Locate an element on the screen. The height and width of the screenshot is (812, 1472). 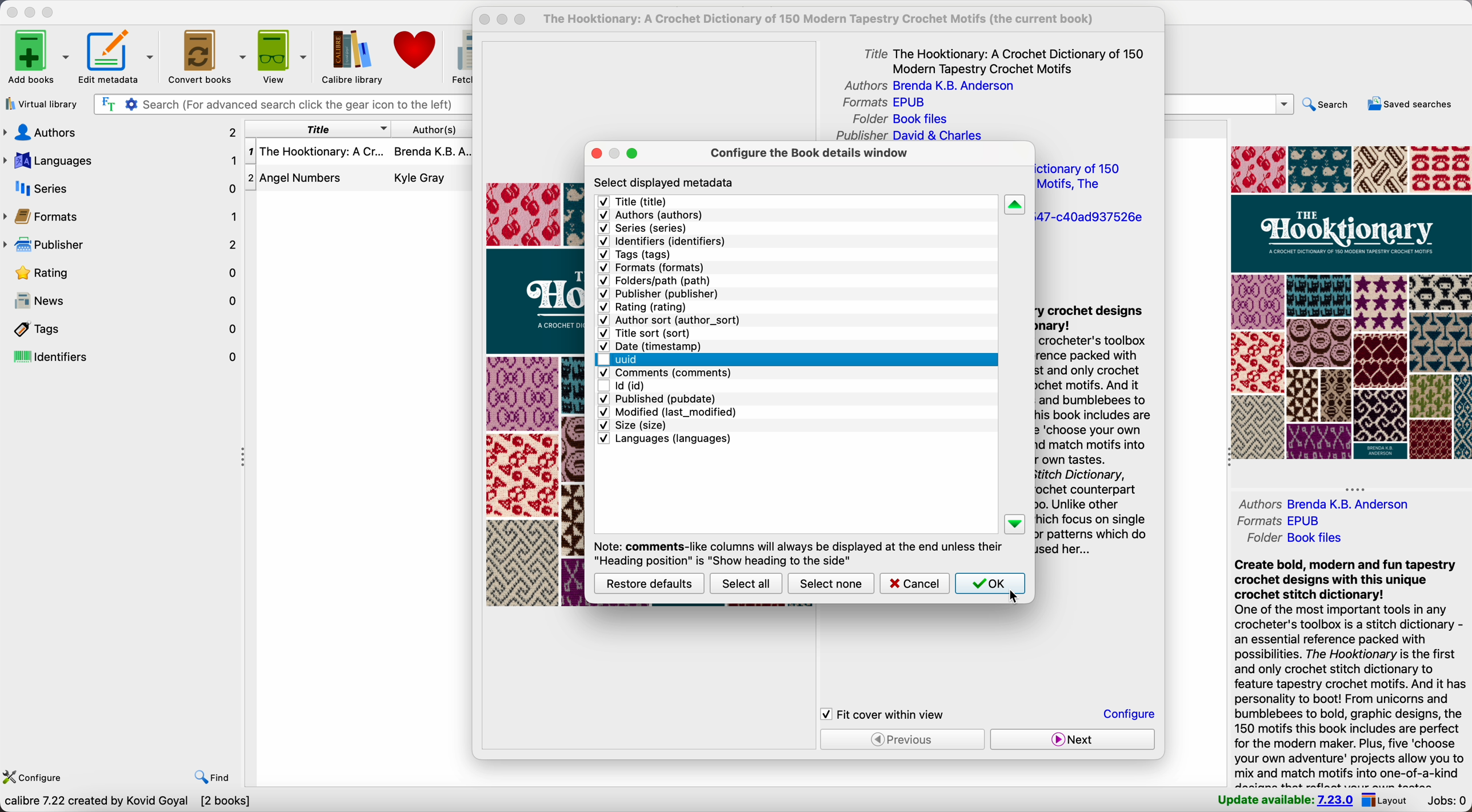
maximize is located at coordinates (49, 13).